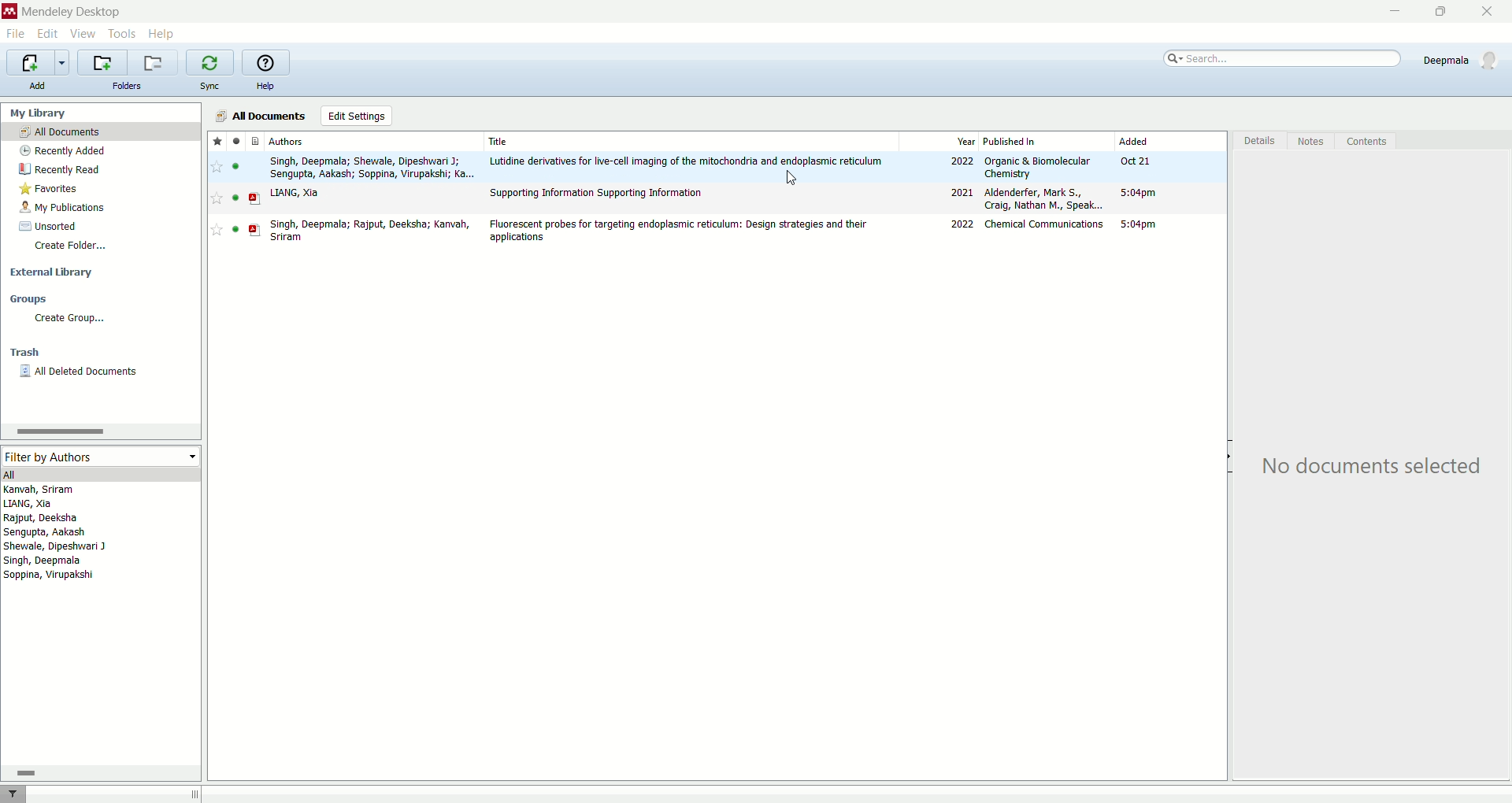 The width and height of the screenshot is (1512, 803). What do you see at coordinates (59, 169) in the screenshot?
I see `recently read` at bounding box center [59, 169].